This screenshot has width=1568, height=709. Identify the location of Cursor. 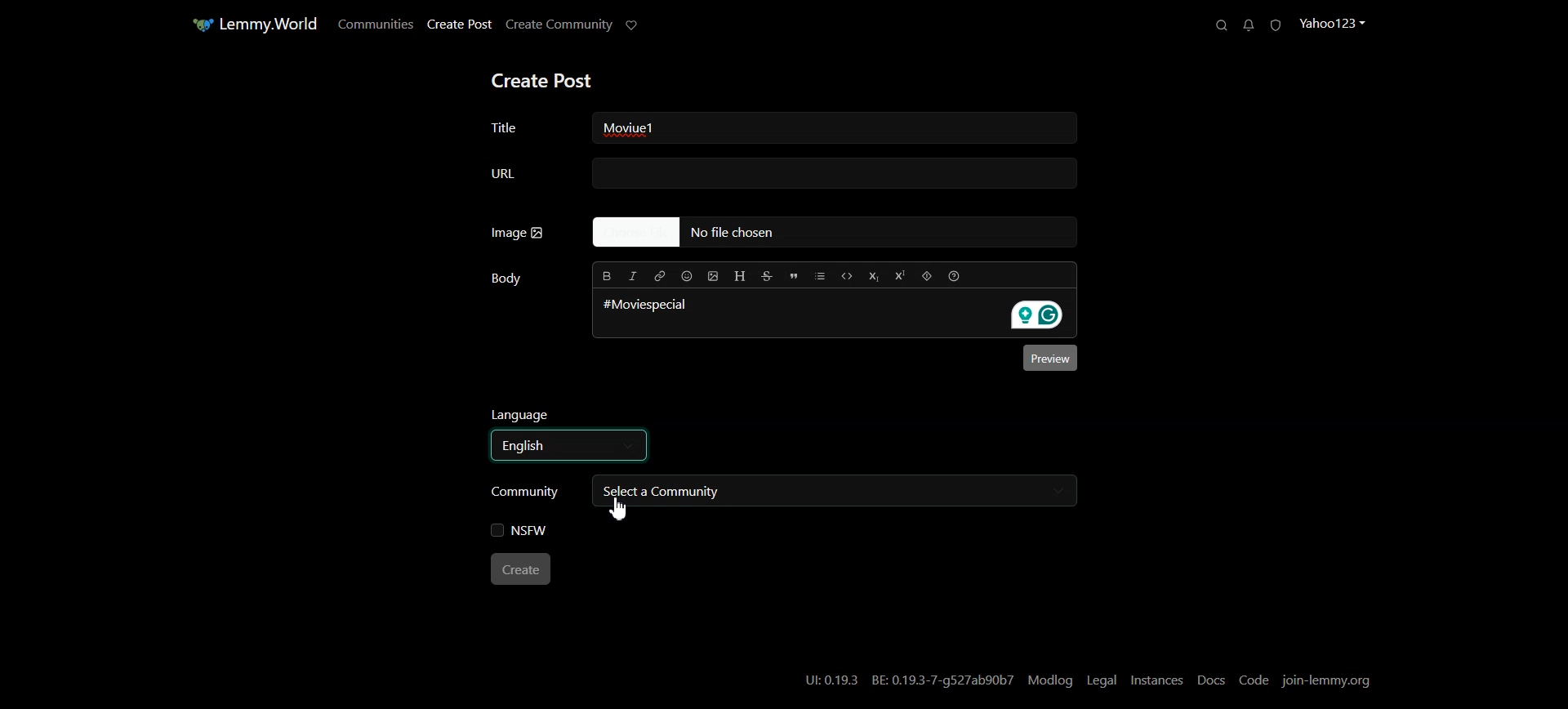
(619, 508).